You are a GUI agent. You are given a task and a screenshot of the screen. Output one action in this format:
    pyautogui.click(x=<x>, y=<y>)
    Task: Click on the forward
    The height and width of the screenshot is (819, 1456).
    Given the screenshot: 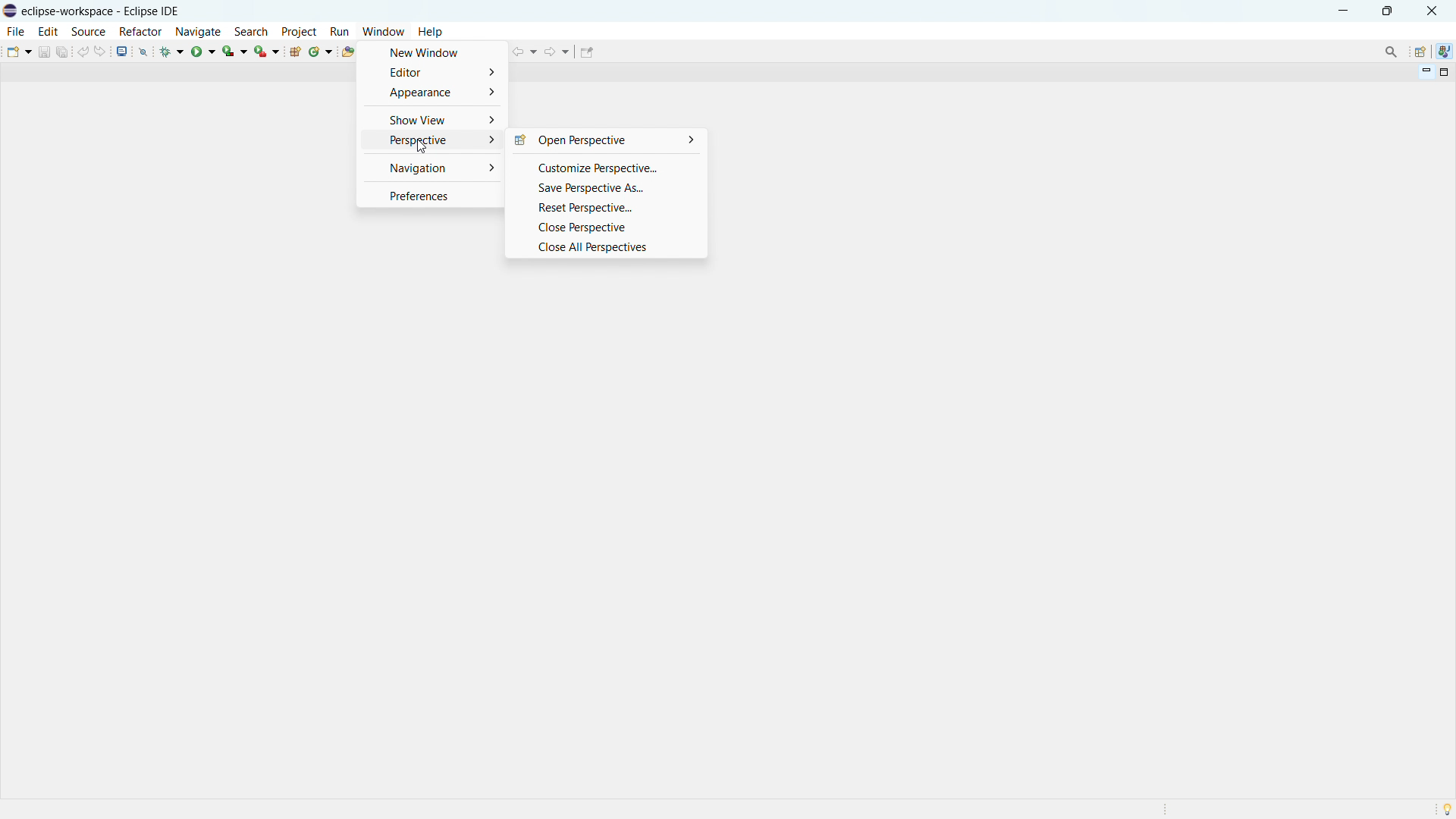 What is the action you would take?
    pyautogui.click(x=557, y=51)
    